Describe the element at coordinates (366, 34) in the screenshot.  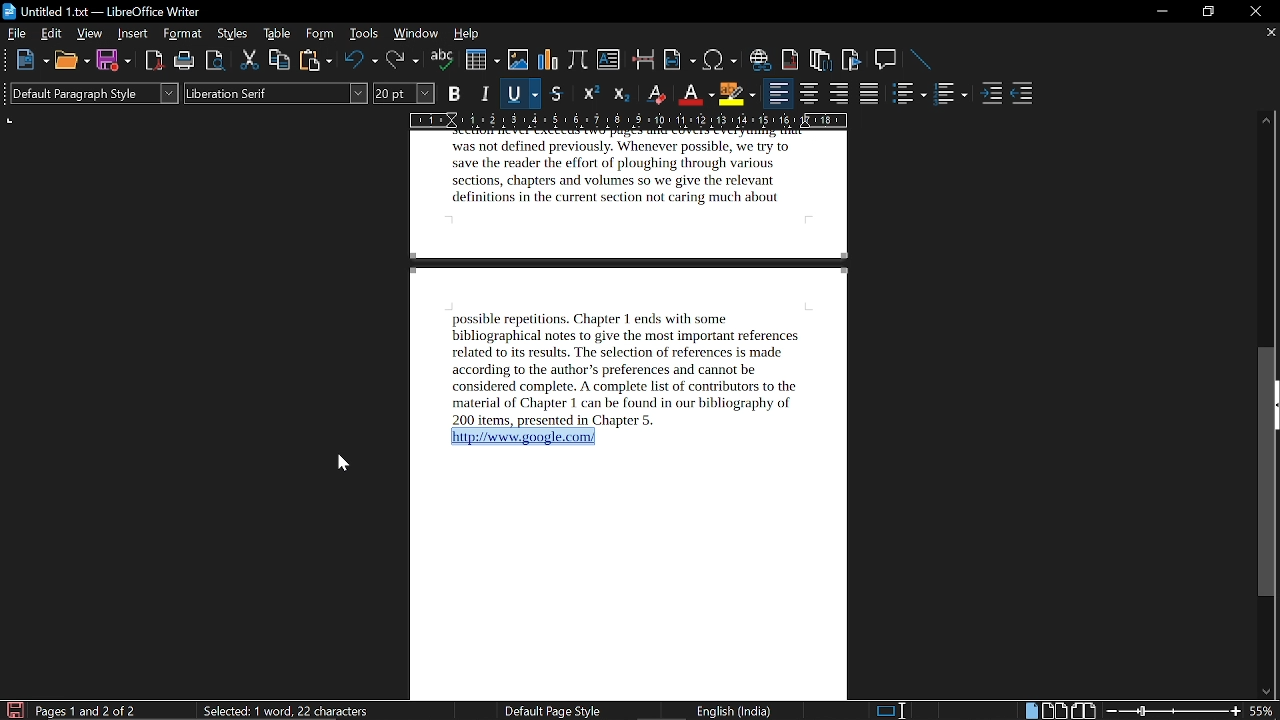
I see `tools` at that location.